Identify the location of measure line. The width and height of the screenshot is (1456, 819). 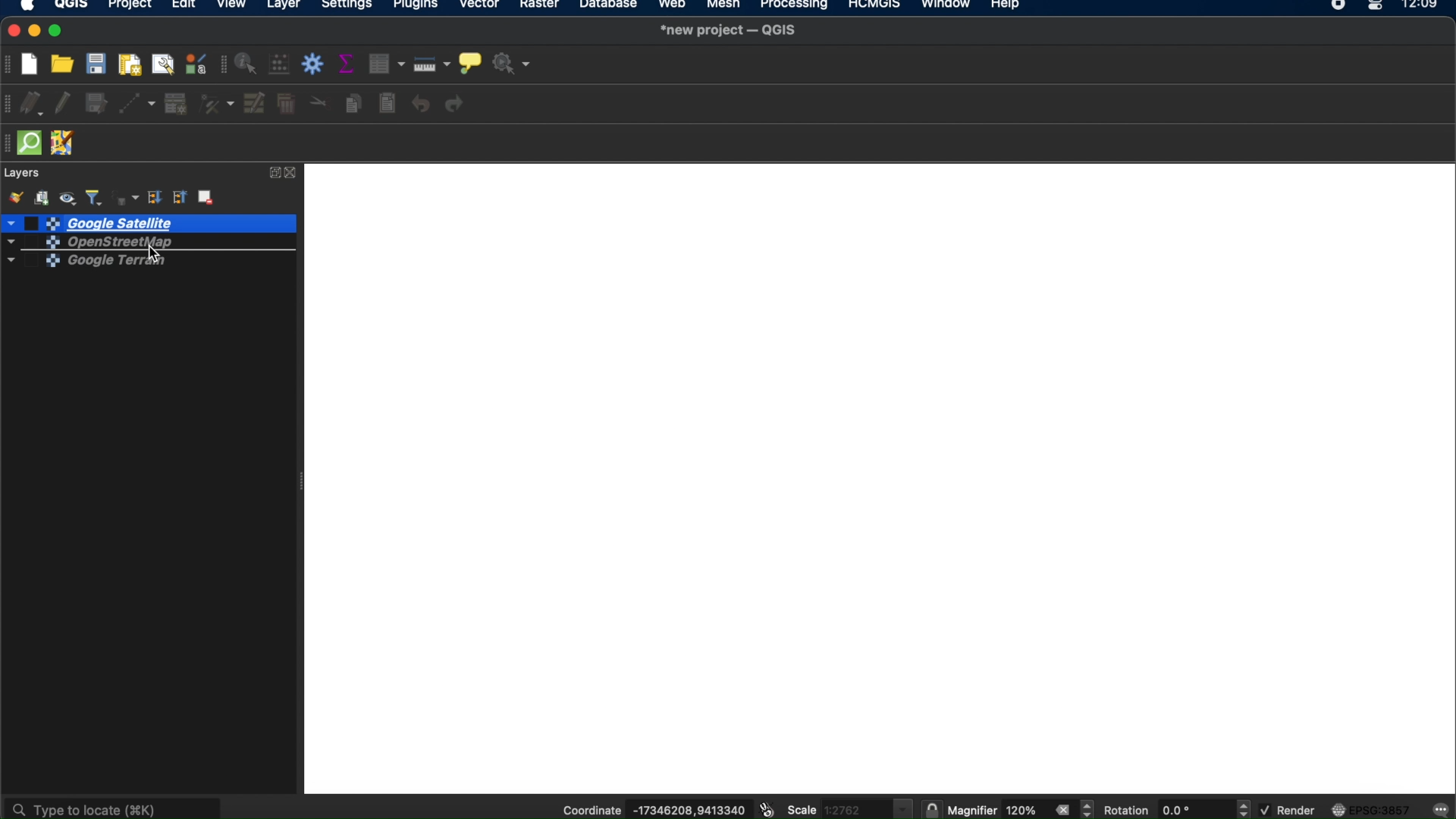
(433, 64).